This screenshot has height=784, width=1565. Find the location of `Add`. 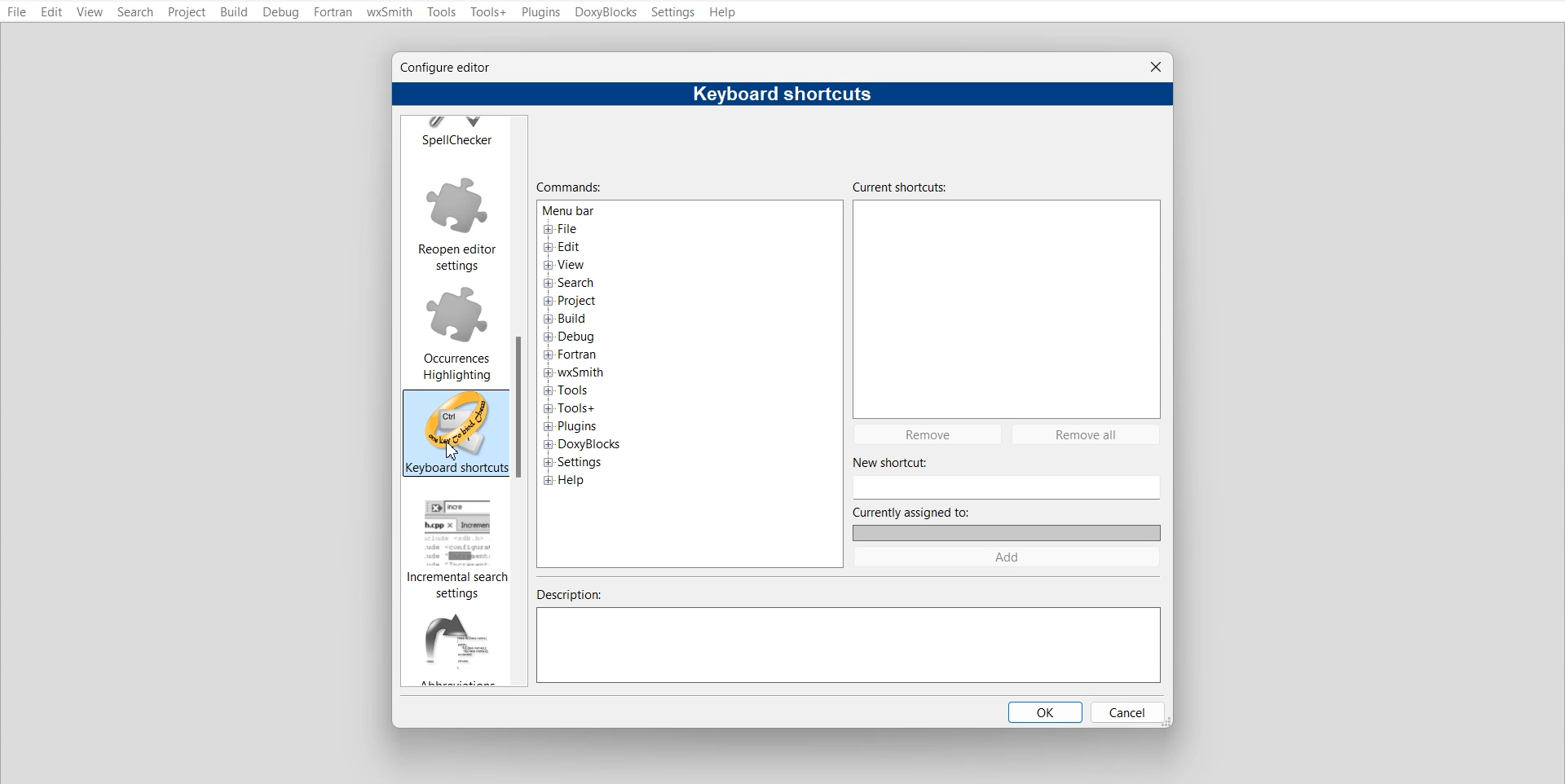

Add is located at coordinates (1007, 557).